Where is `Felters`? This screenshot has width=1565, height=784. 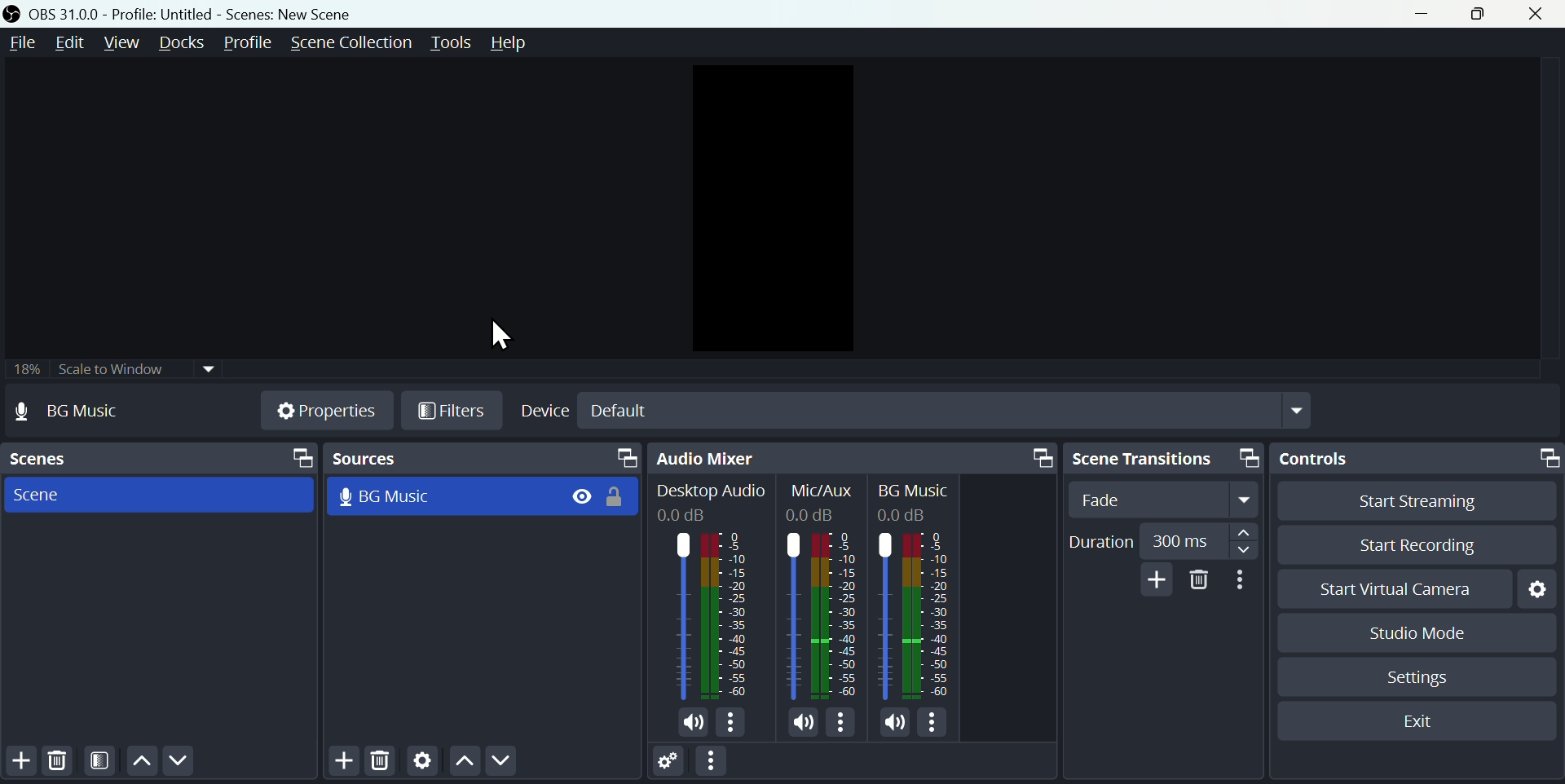
Felters is located at coordinates (103, 760).